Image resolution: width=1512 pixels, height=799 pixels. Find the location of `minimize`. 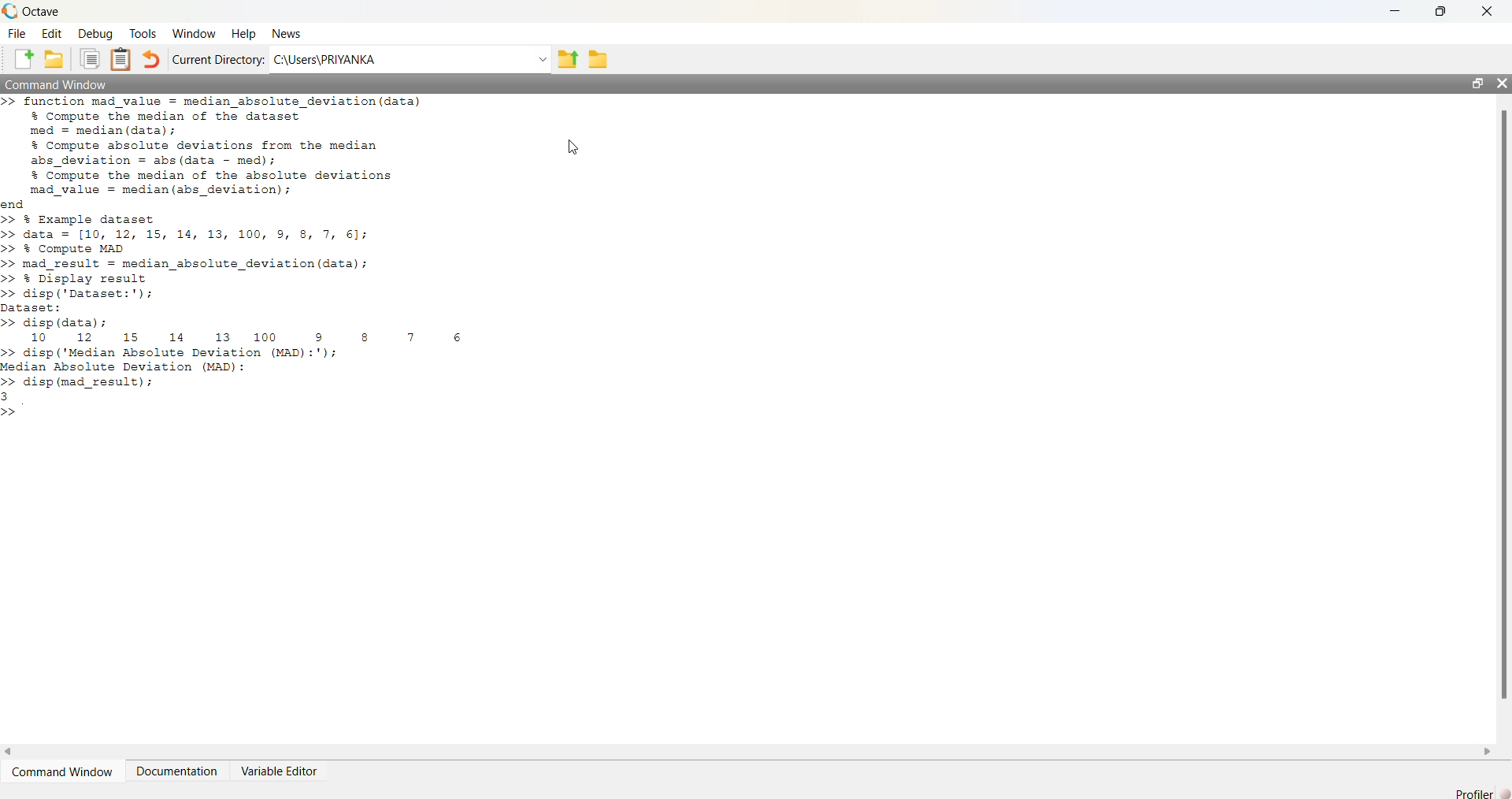

minimize is located at coordinates (1395, 12).